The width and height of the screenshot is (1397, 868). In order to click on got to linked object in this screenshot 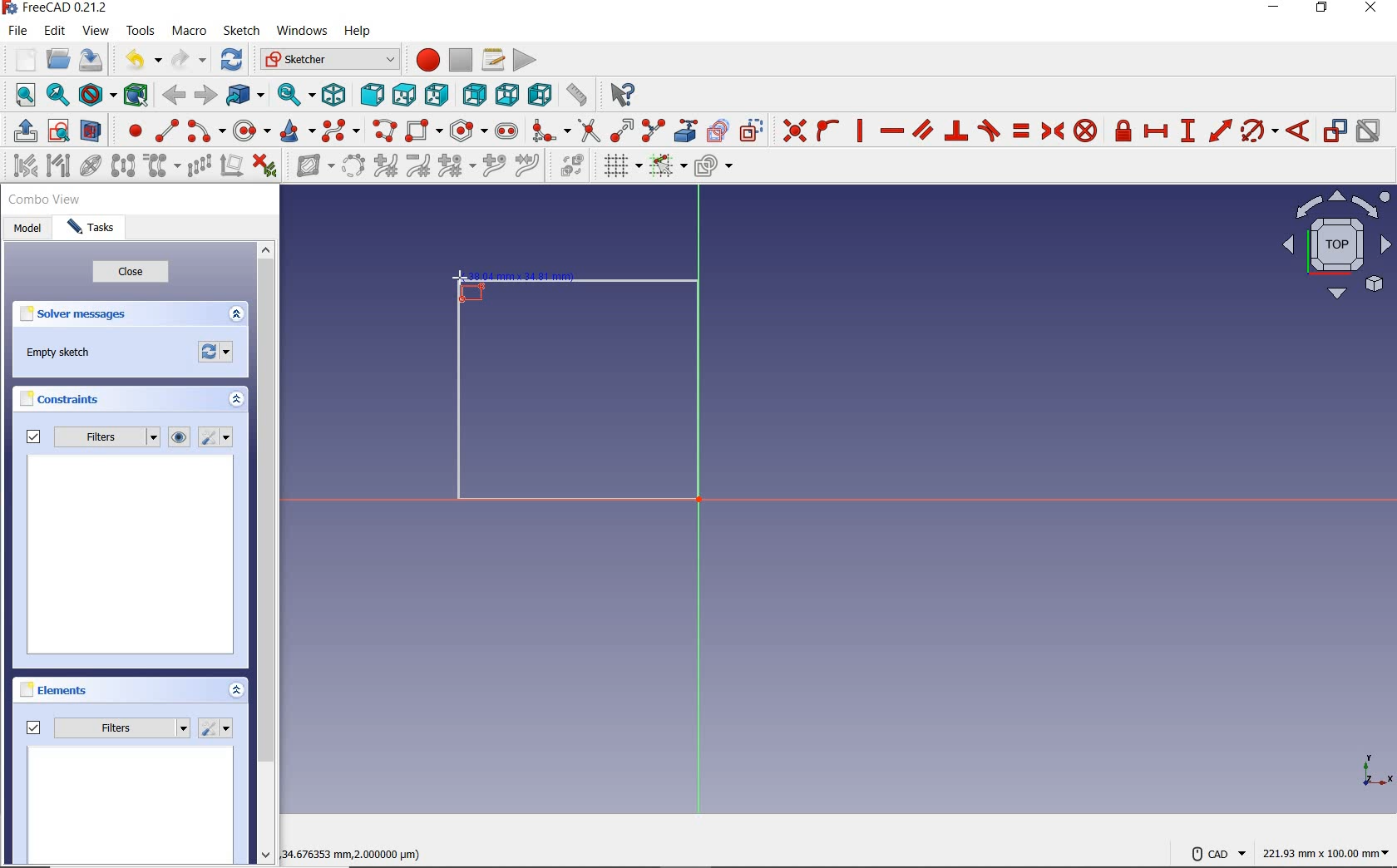, I will do `click(246, 97)`.